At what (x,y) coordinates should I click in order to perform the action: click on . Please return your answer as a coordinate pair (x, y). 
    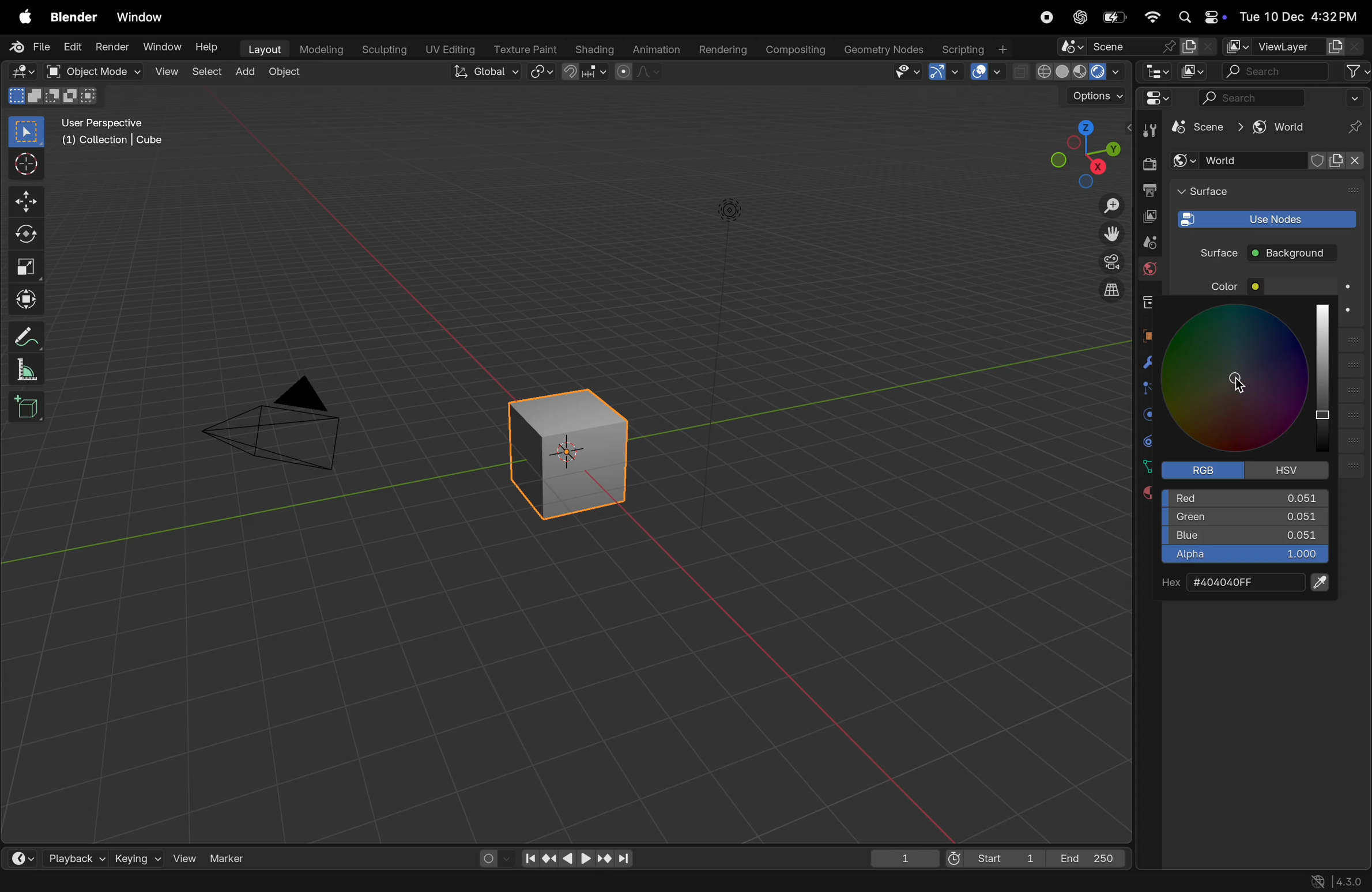
    Looking at the image, I should click on (1284, 98).